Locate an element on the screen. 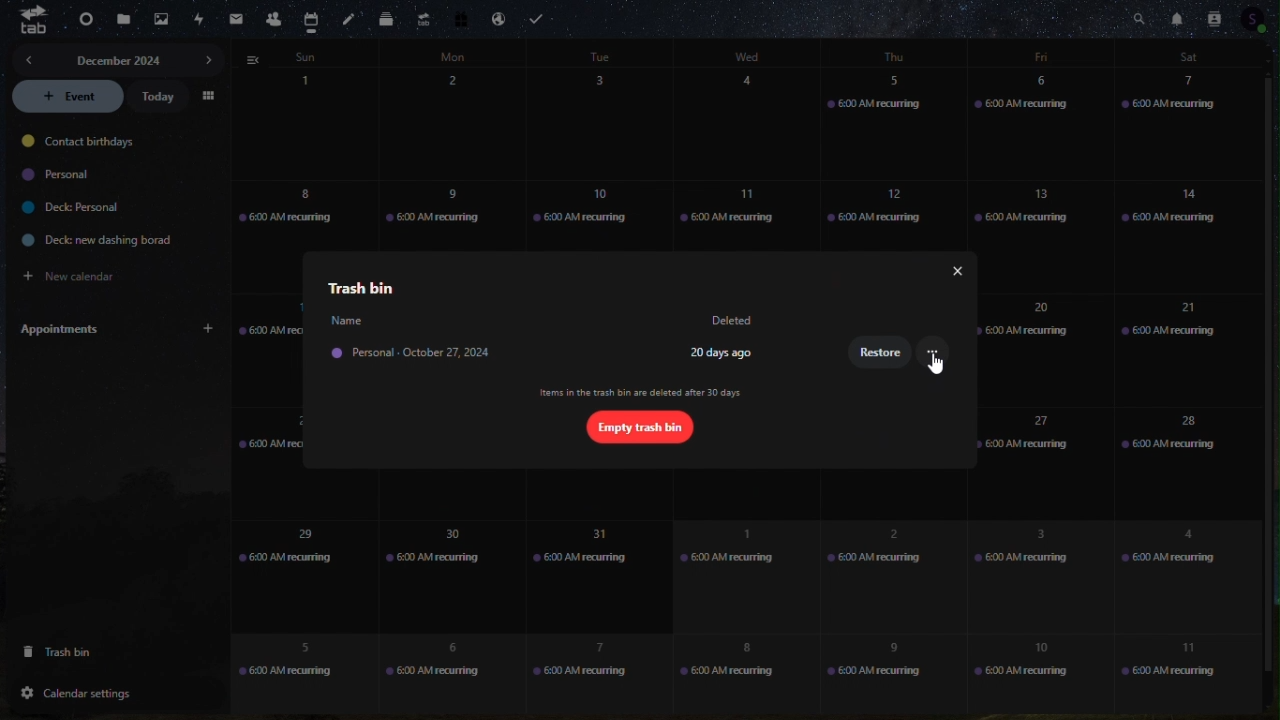  Email hosting is located at coordinates (499, 15).